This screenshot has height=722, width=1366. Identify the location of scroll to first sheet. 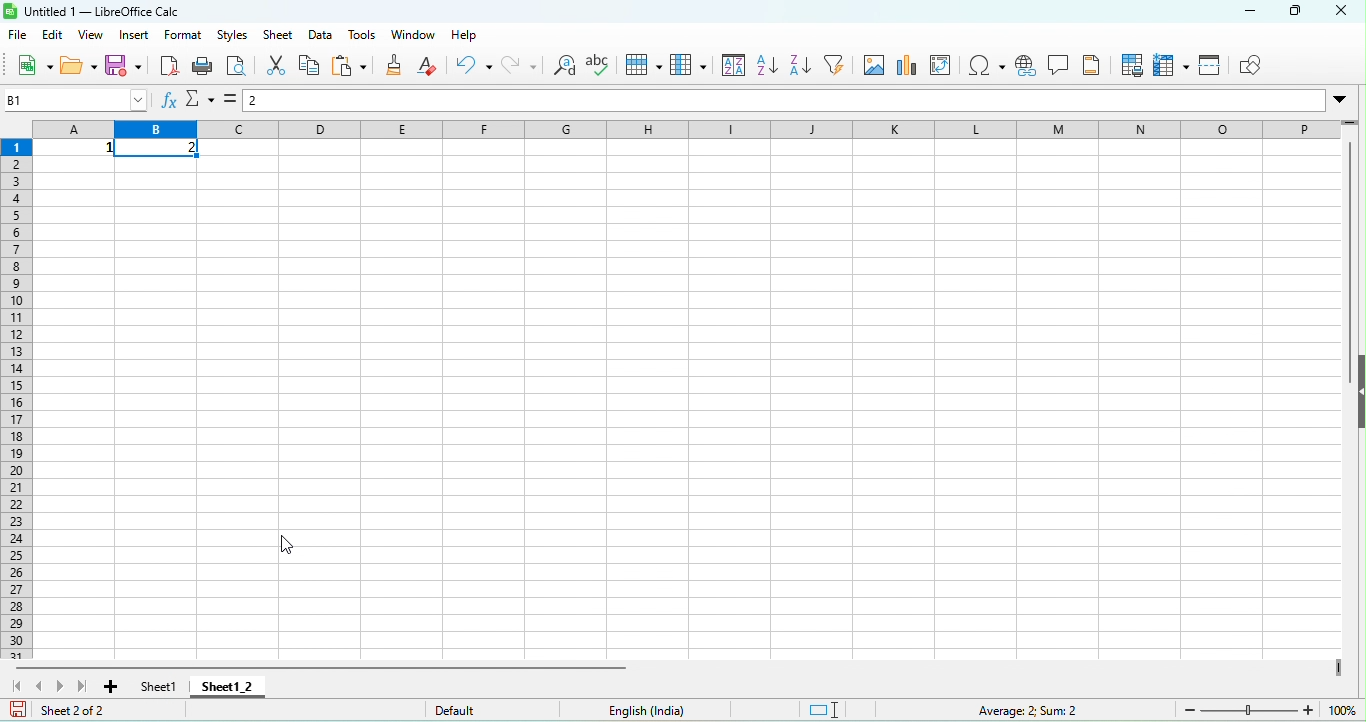
(15, 685).